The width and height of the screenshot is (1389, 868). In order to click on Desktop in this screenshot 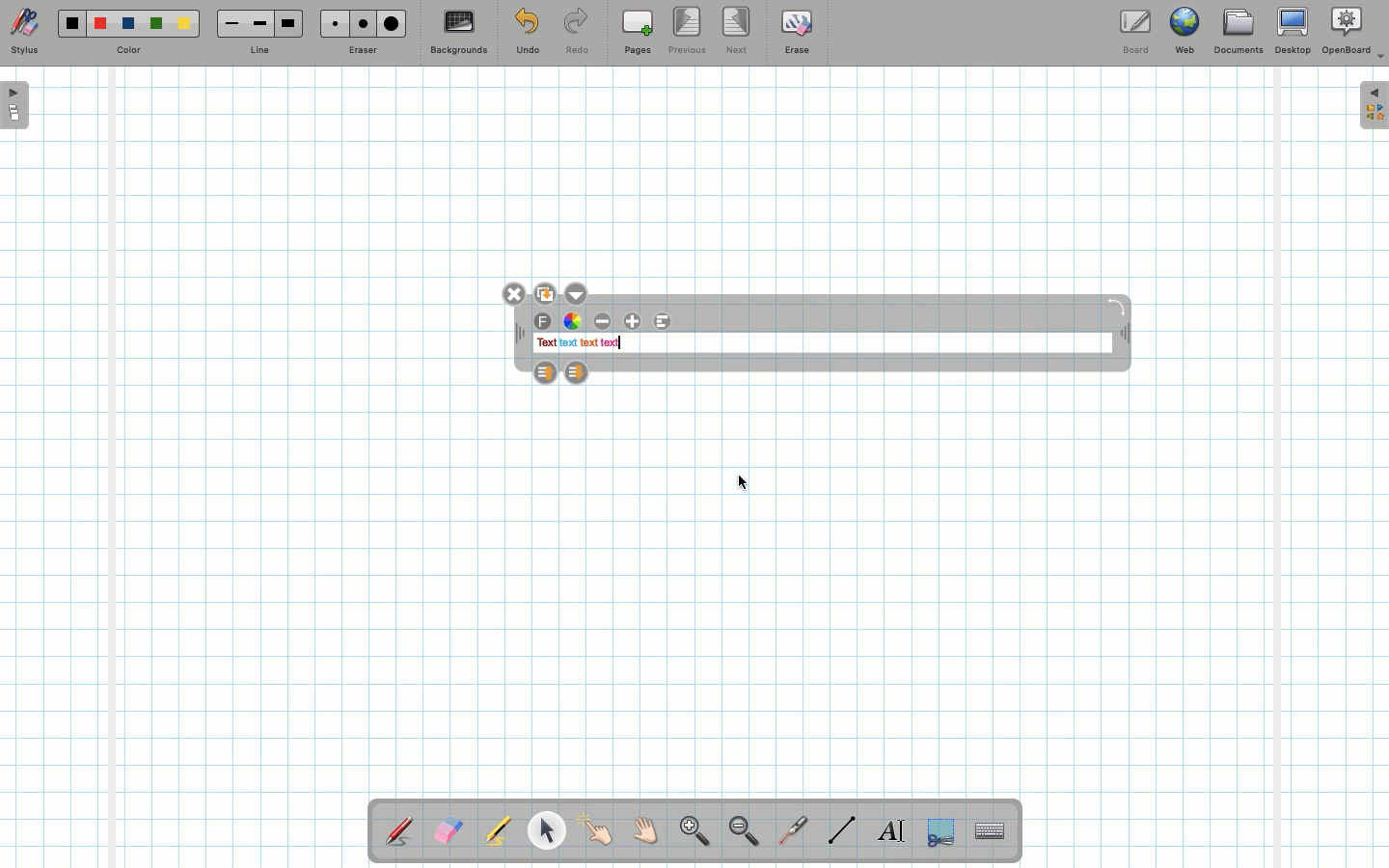, I will do `click(1295, 31)`.